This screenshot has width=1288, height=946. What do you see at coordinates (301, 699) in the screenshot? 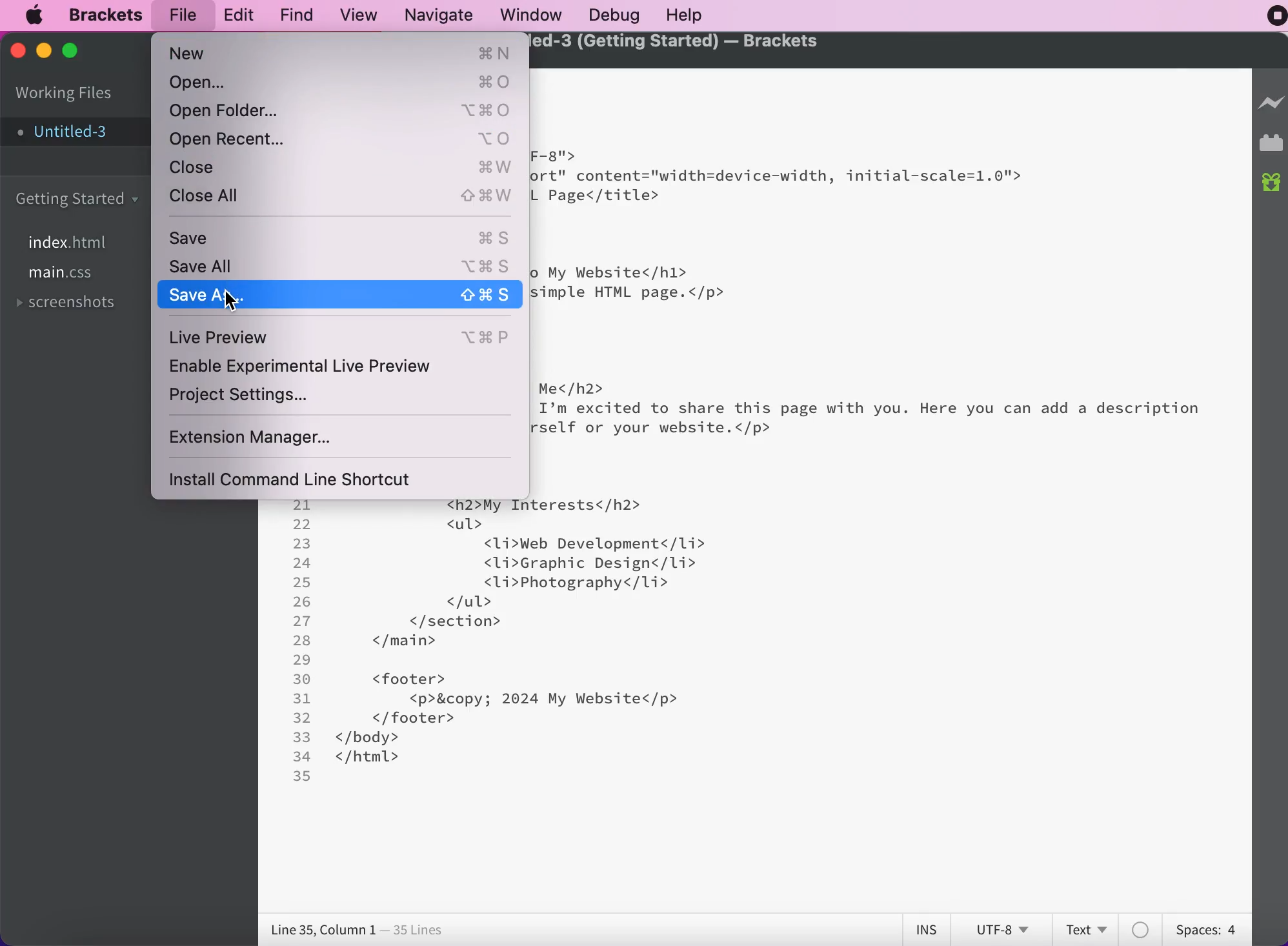
I see `31` at bounding box center [301, 699].